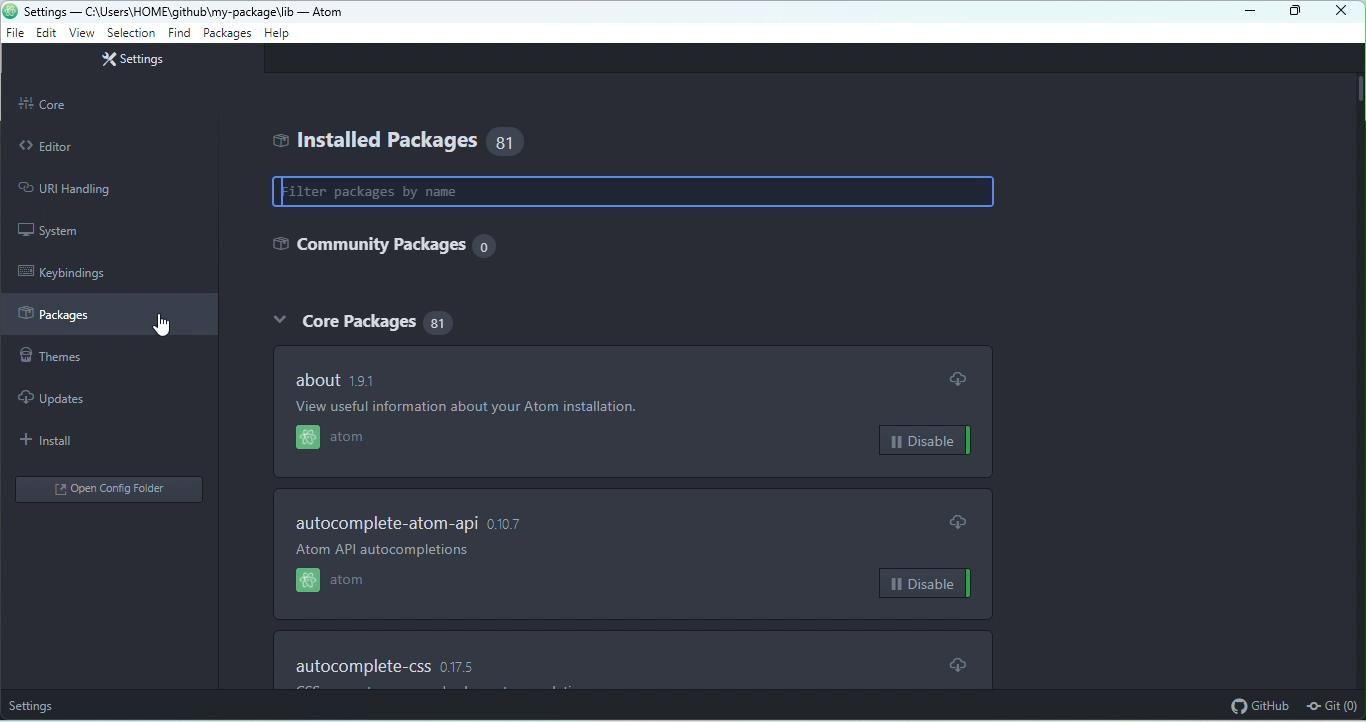 This screenshot has width=1366, height=722. I want to click on updates, so click(63, 396).